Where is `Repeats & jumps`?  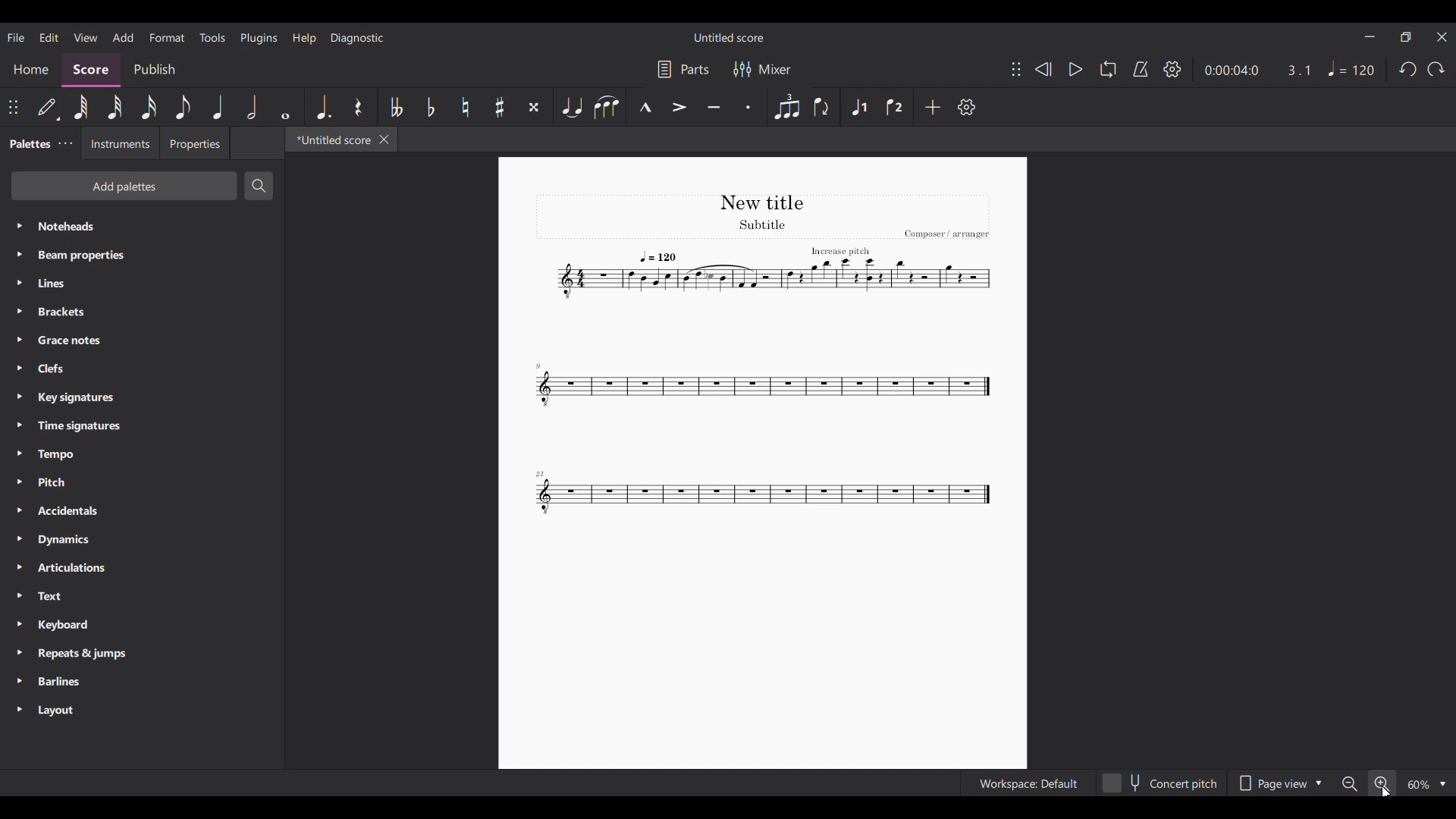
Repeats & jumps is located at coordinates (142, 653).